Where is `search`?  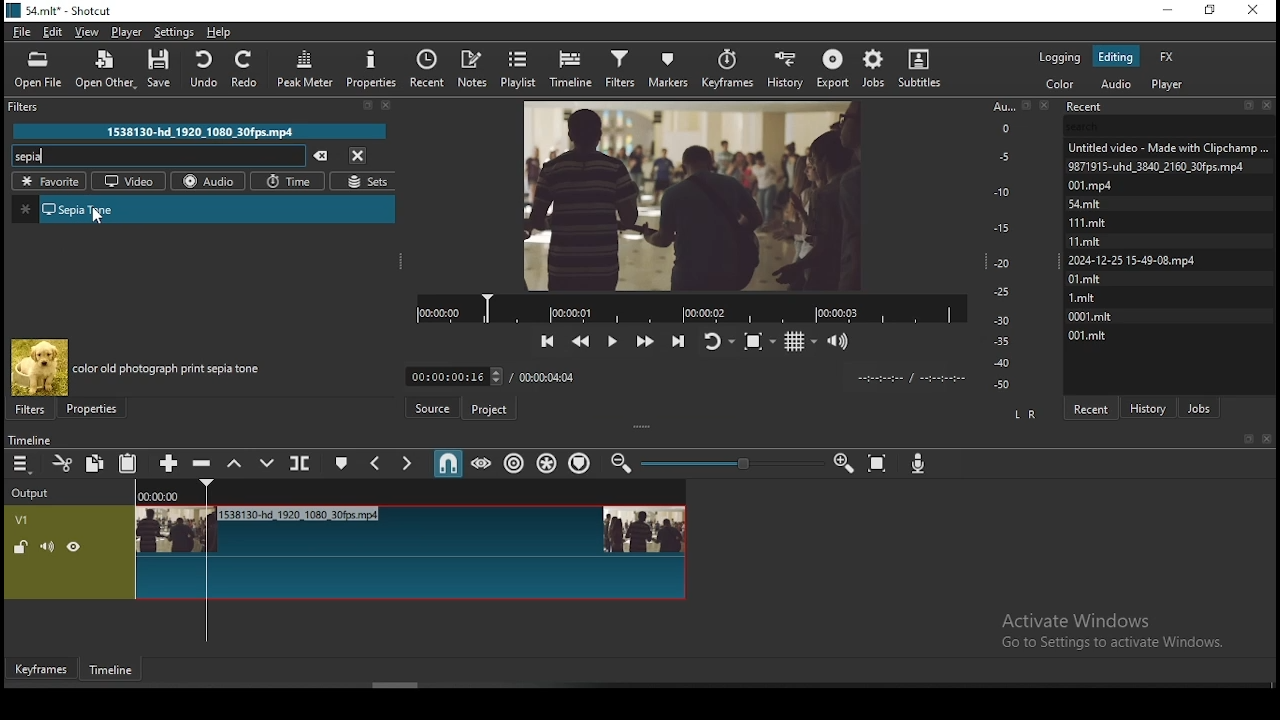
search is located at coordinates (159, 154).